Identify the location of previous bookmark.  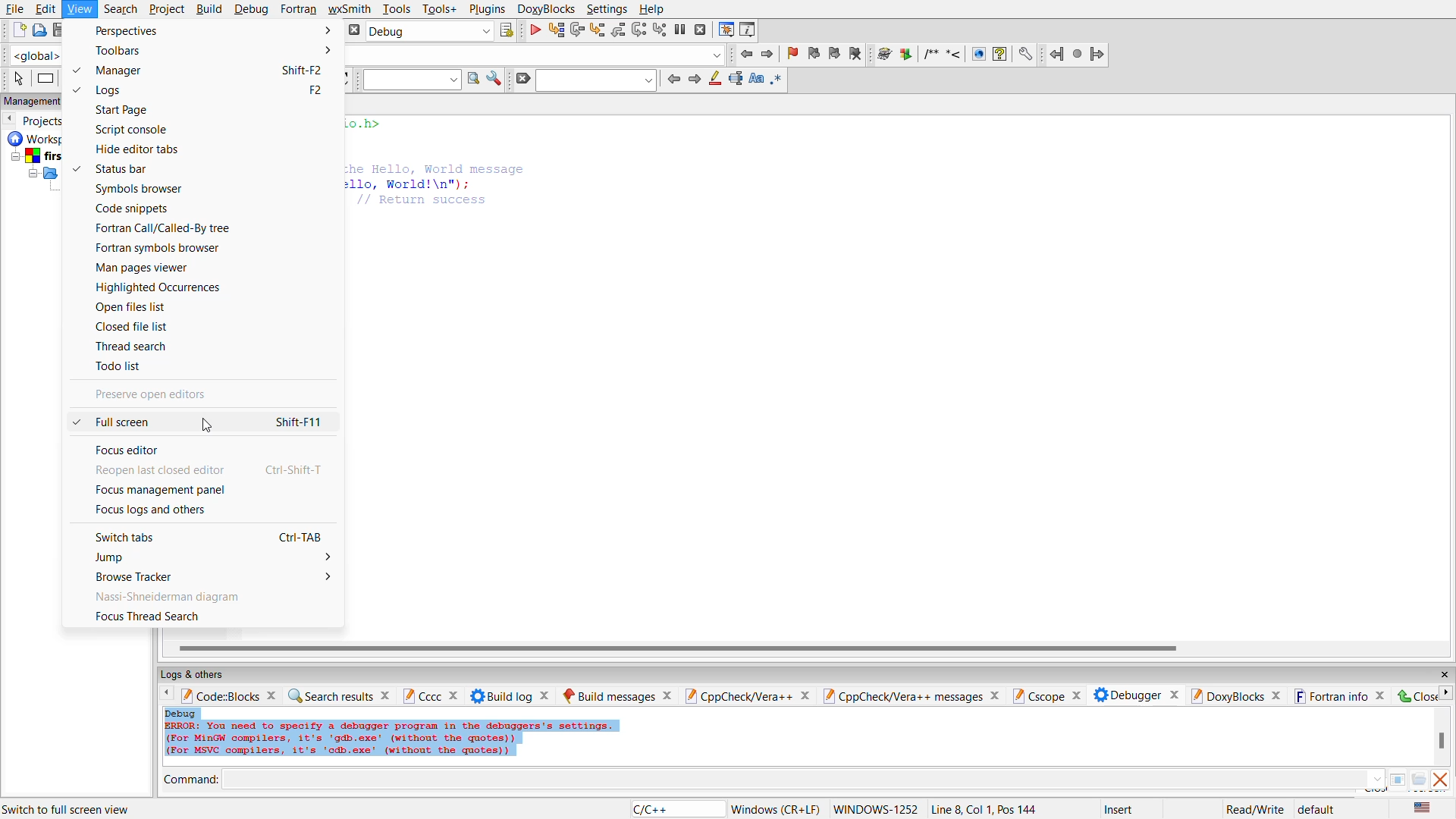
(814, 54).